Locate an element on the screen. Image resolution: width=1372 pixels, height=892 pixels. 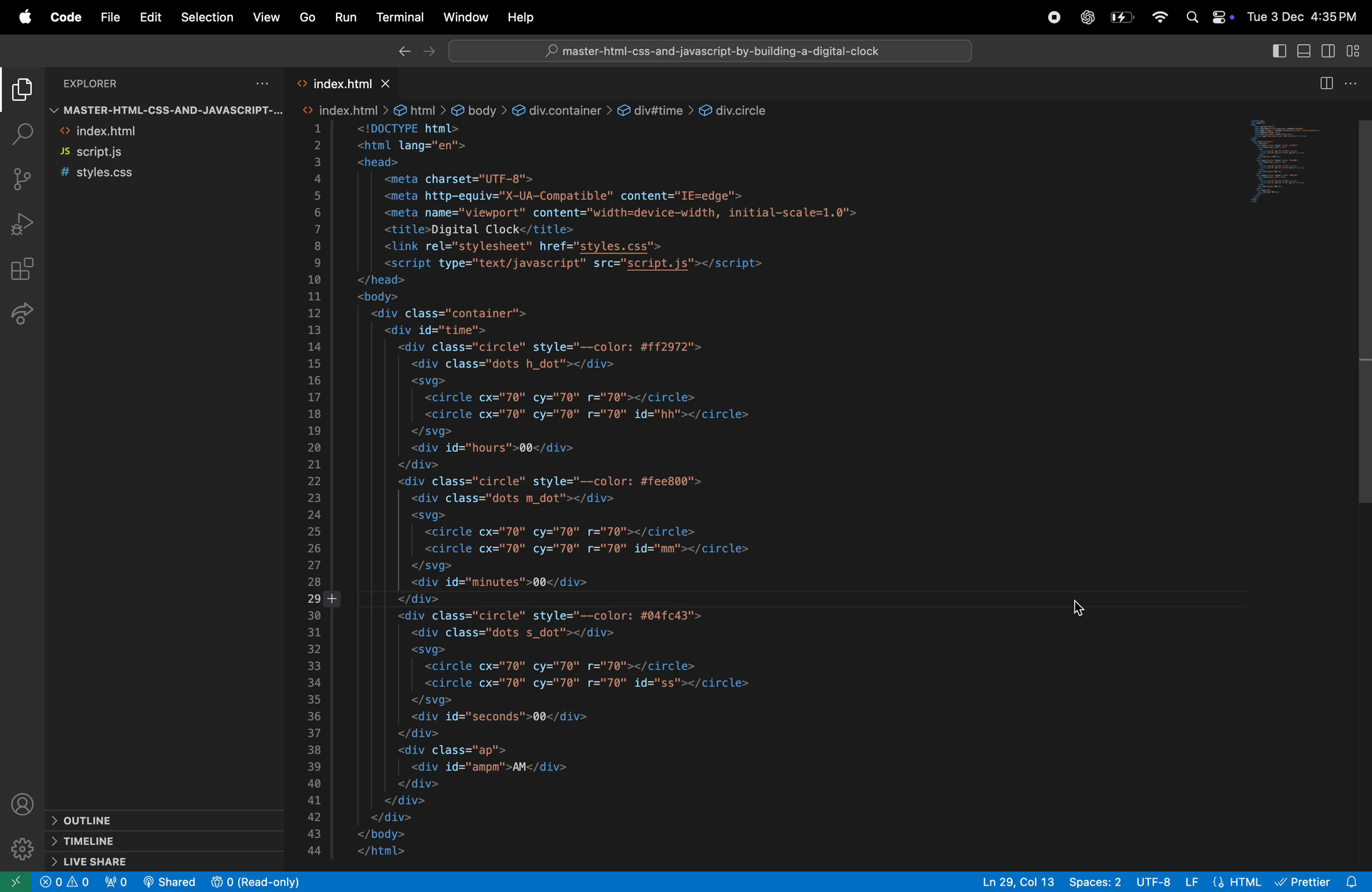
HTML is located at coordinates (1237, 881).